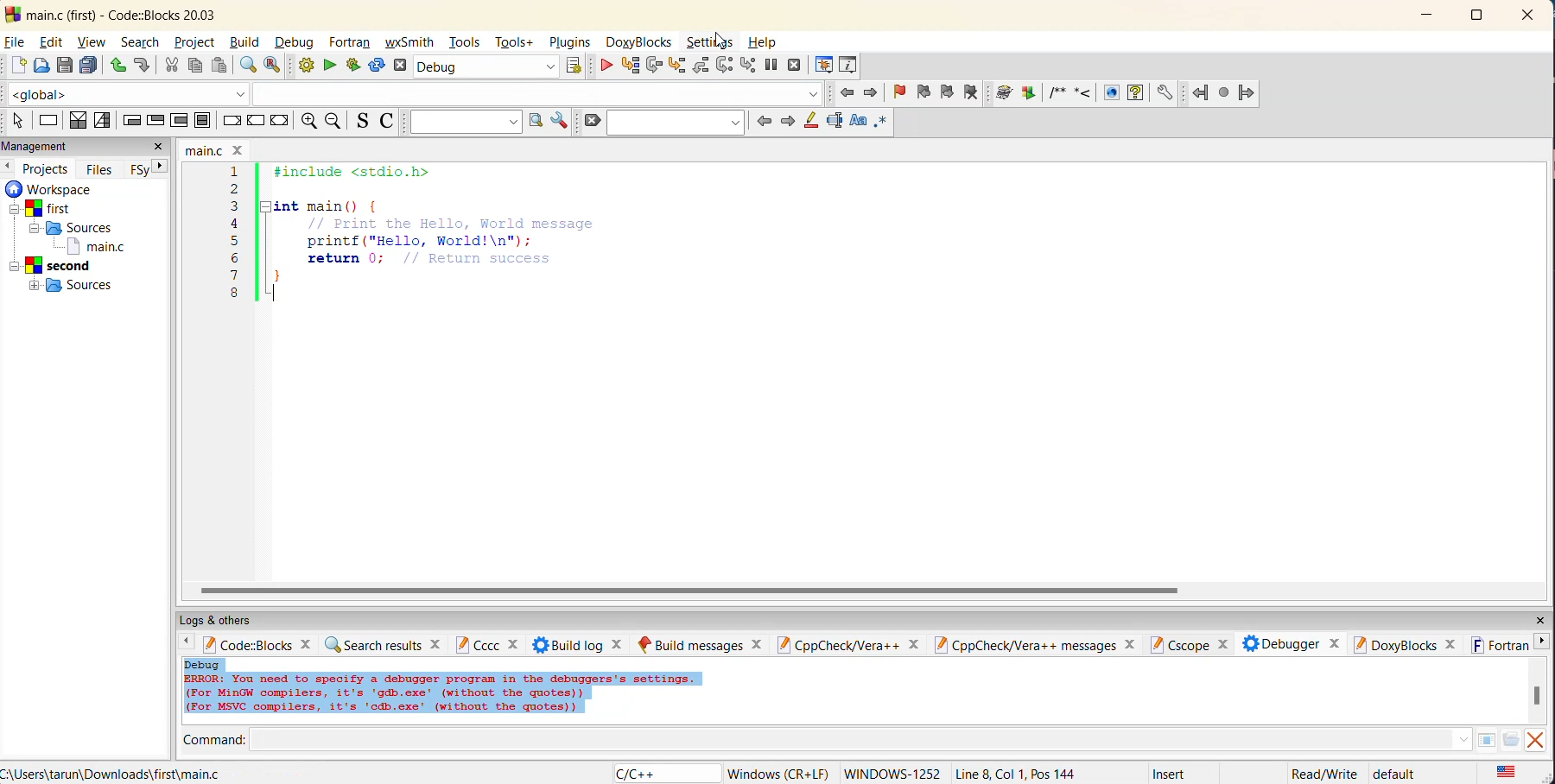 This screenshot has width=1555, height=784. I want to click on file, so click(16, 42).